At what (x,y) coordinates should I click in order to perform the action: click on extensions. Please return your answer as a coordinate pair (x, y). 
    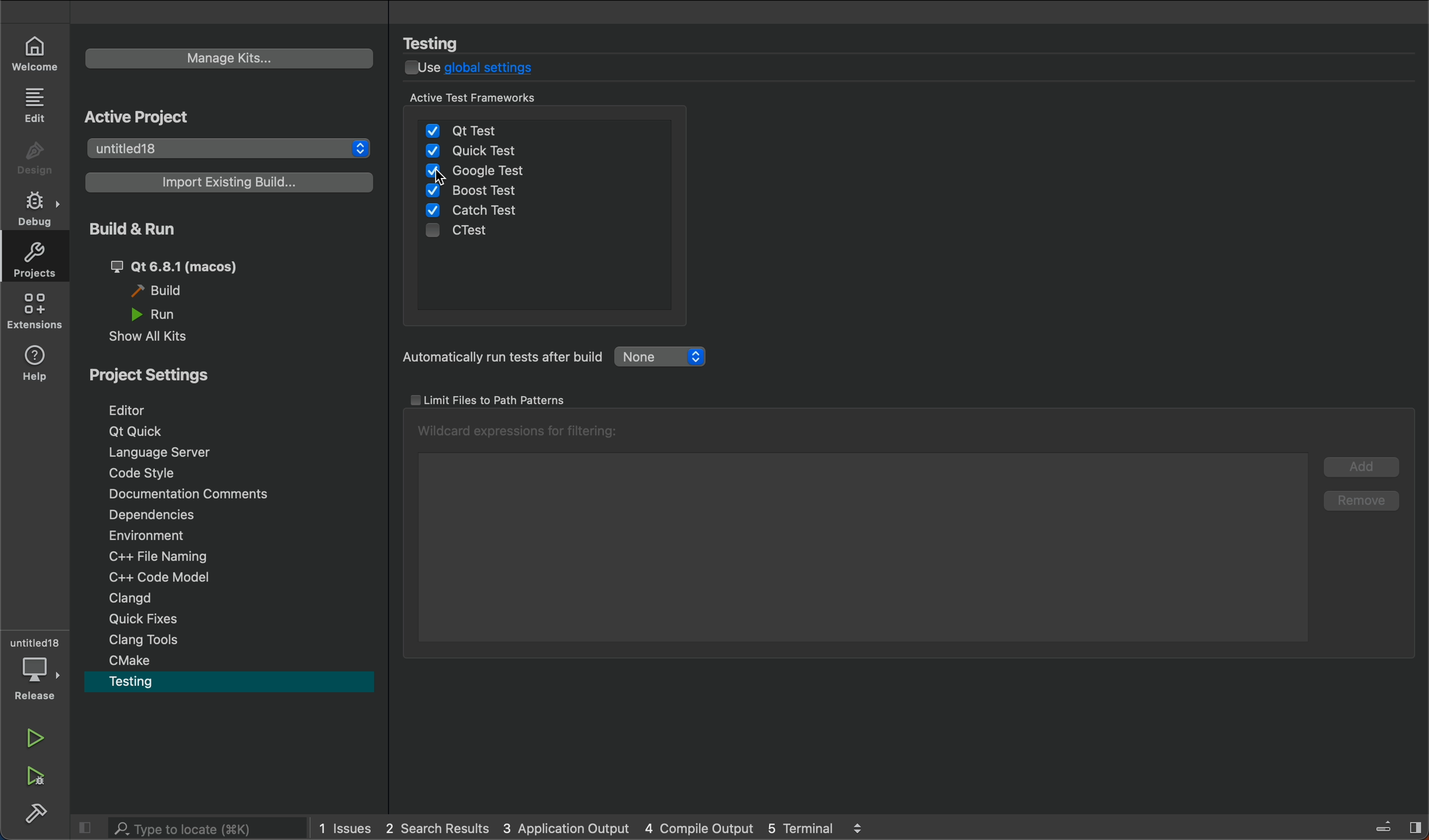
    Looking at the image, I should click on (35, 311).